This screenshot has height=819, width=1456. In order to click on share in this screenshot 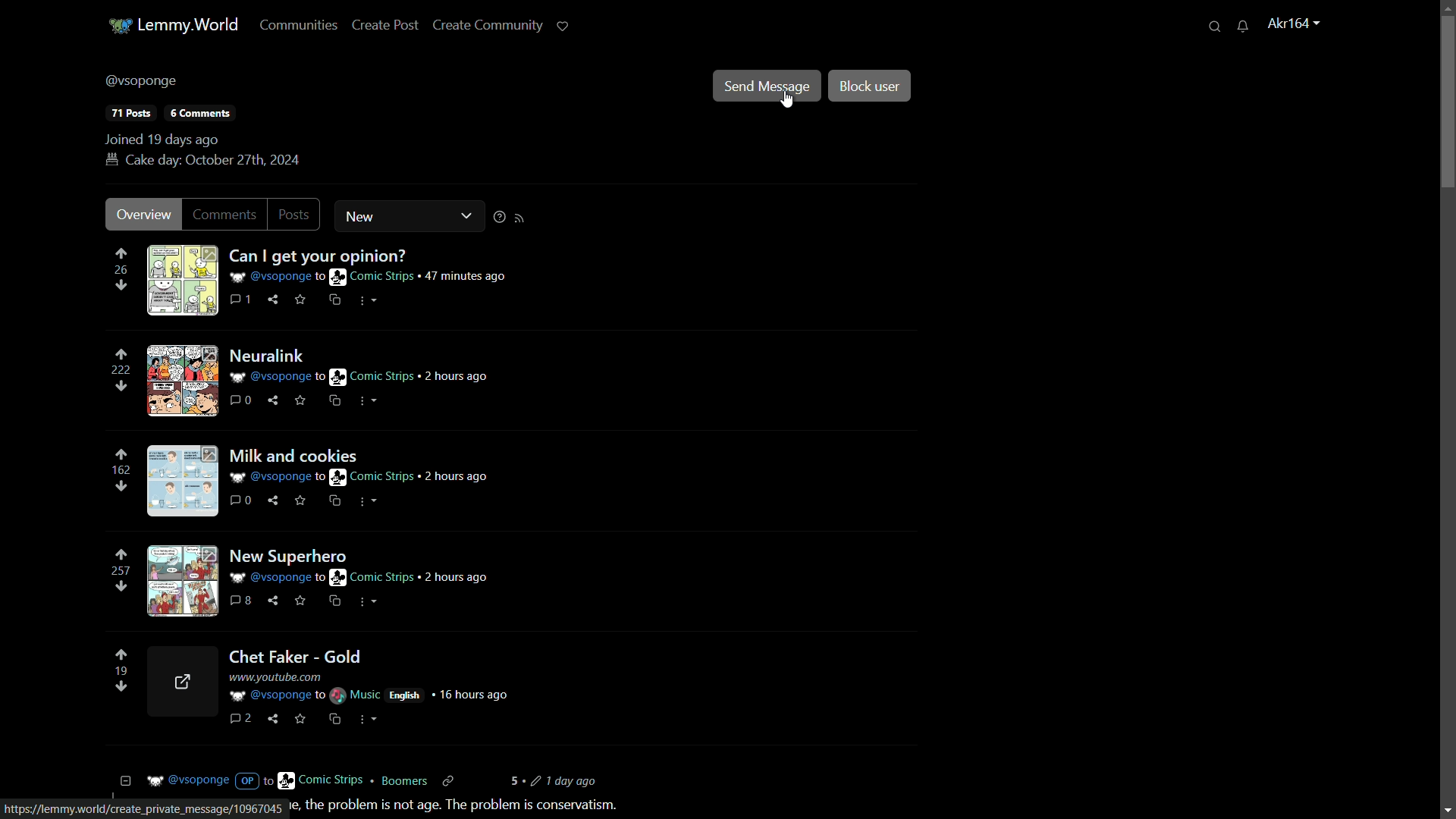, I will do `click(279, 604)`.